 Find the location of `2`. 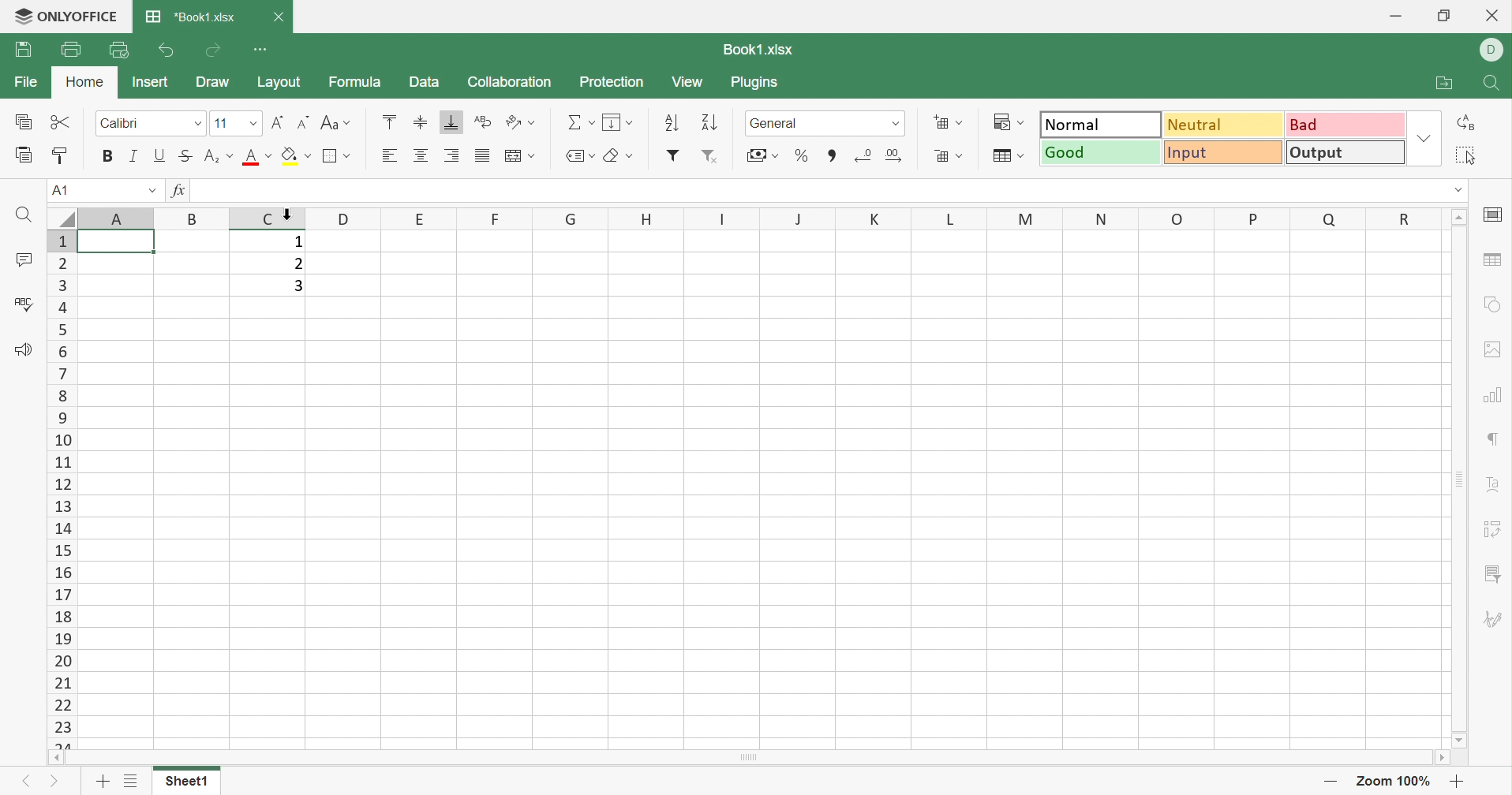

2 is located at coordinates (295, 263).